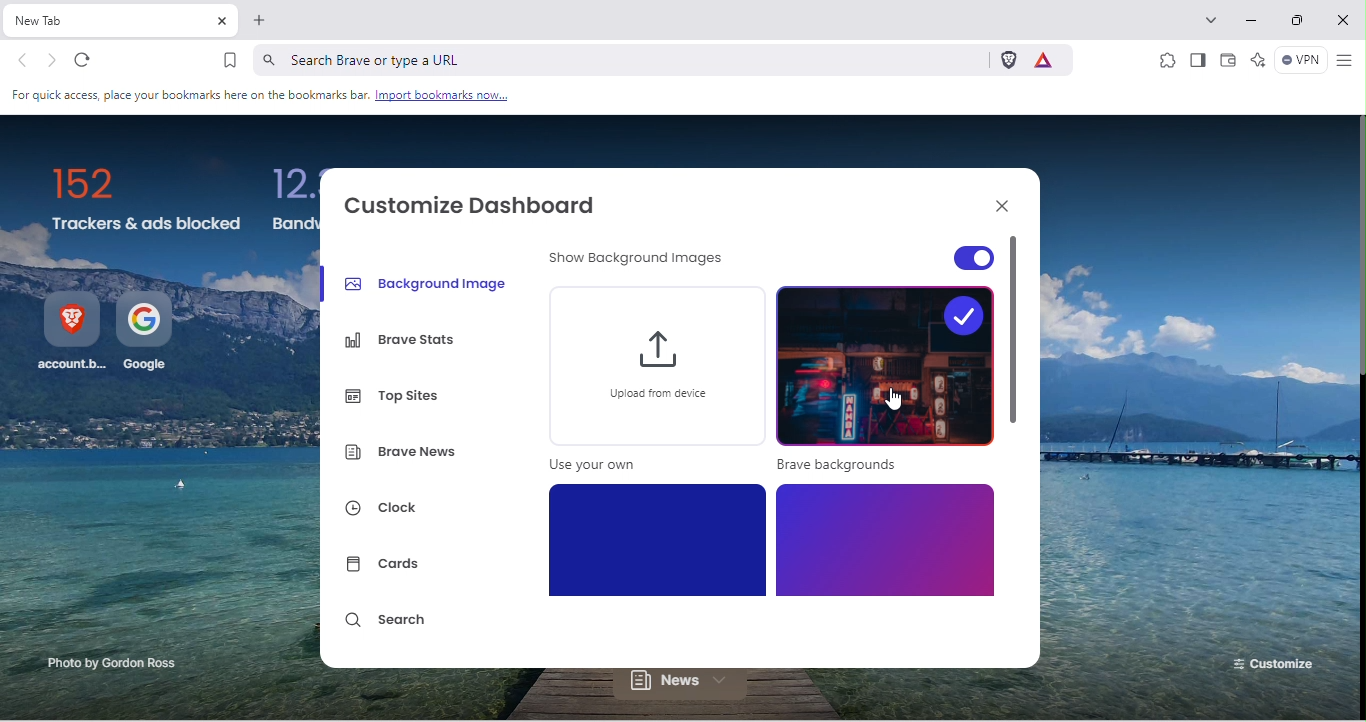 Image resolution: width=1366 pixels, height=722 pixels. I want to click on Brave backgrounds, so click(885, 382).